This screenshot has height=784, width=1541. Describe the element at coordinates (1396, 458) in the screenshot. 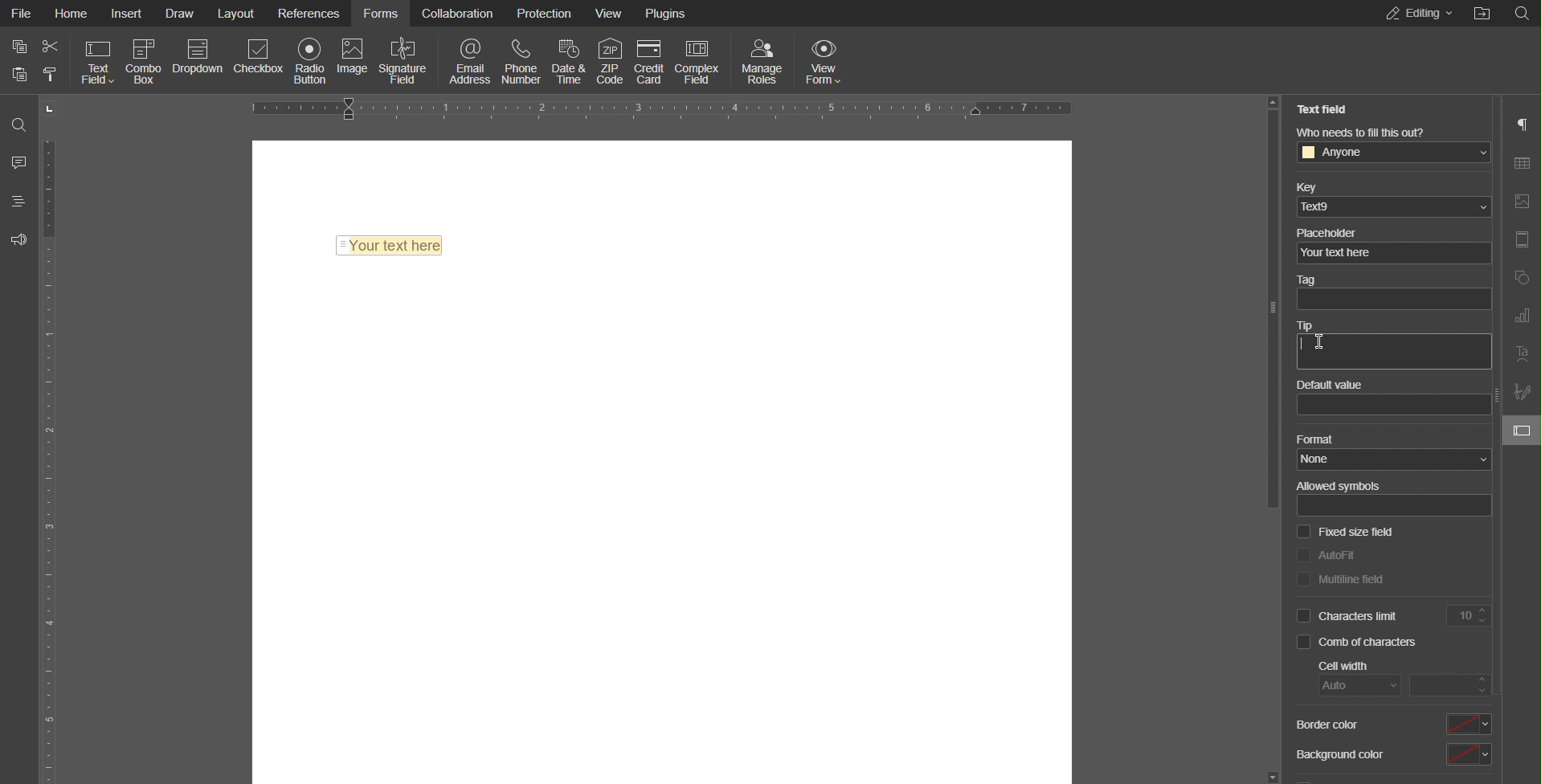

I see `none` at that location.